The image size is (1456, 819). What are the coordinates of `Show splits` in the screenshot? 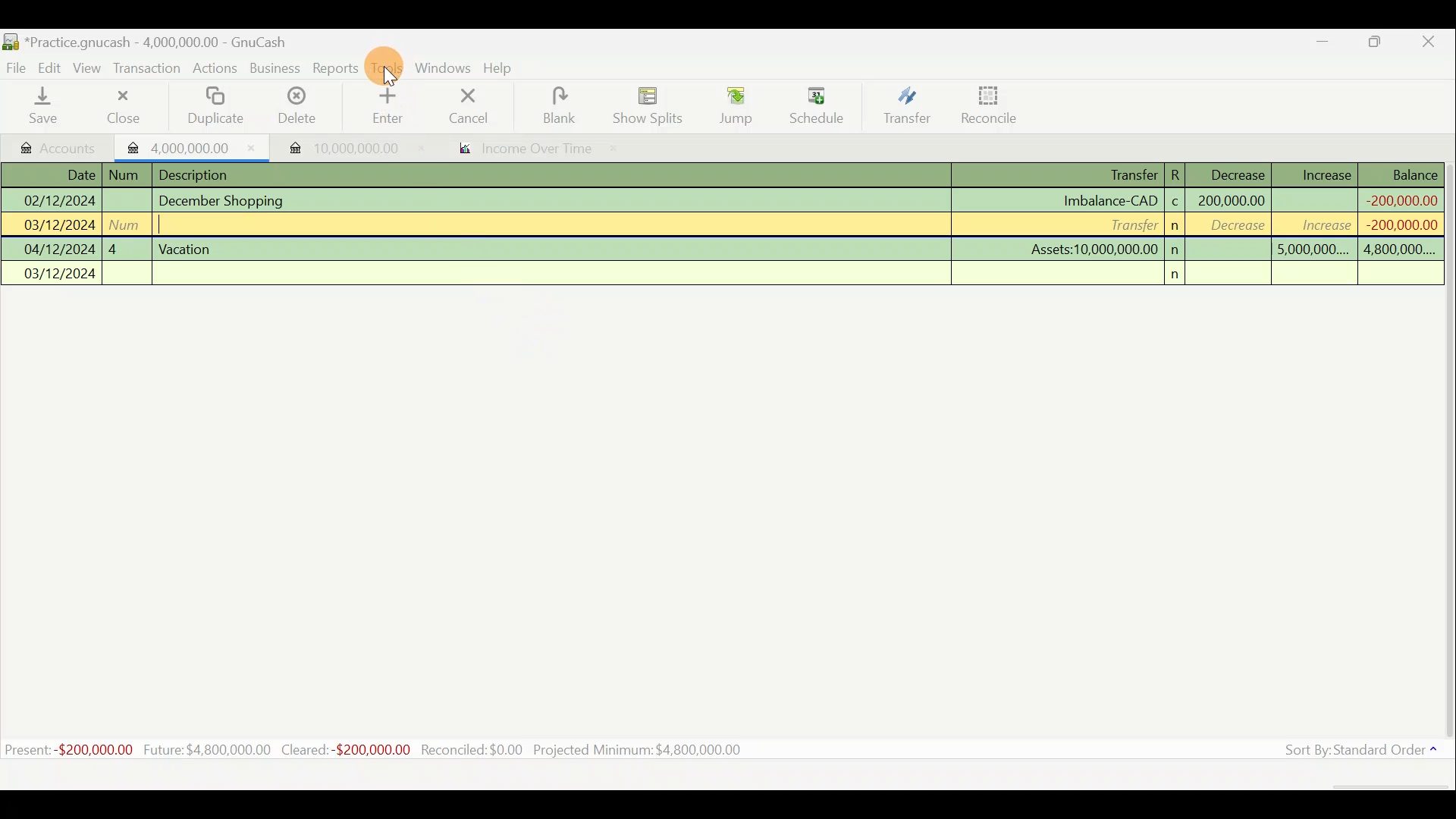 It's located at (649, 105).